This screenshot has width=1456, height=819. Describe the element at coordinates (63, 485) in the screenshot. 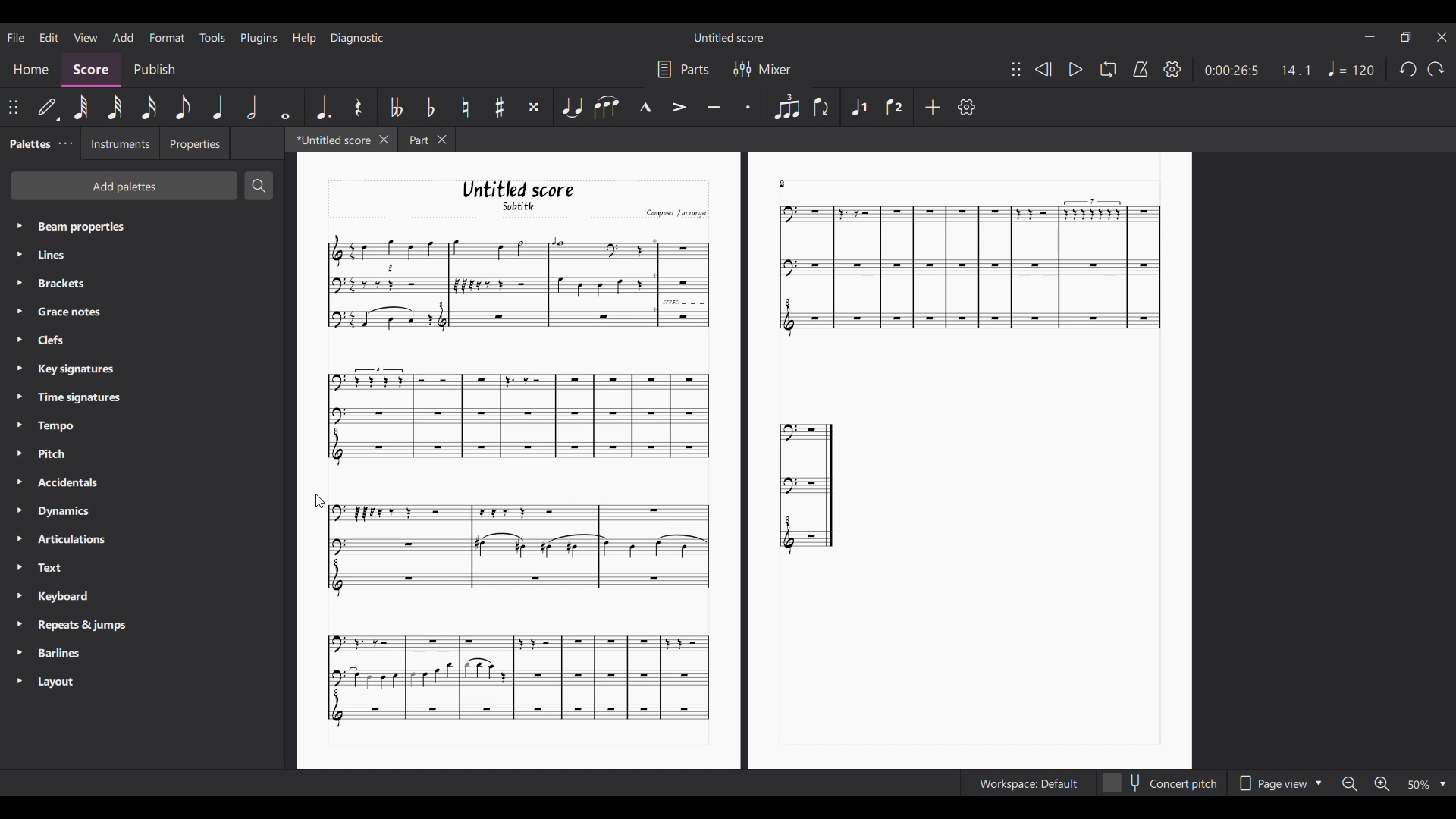

I see `»  Accidentals` at that location.